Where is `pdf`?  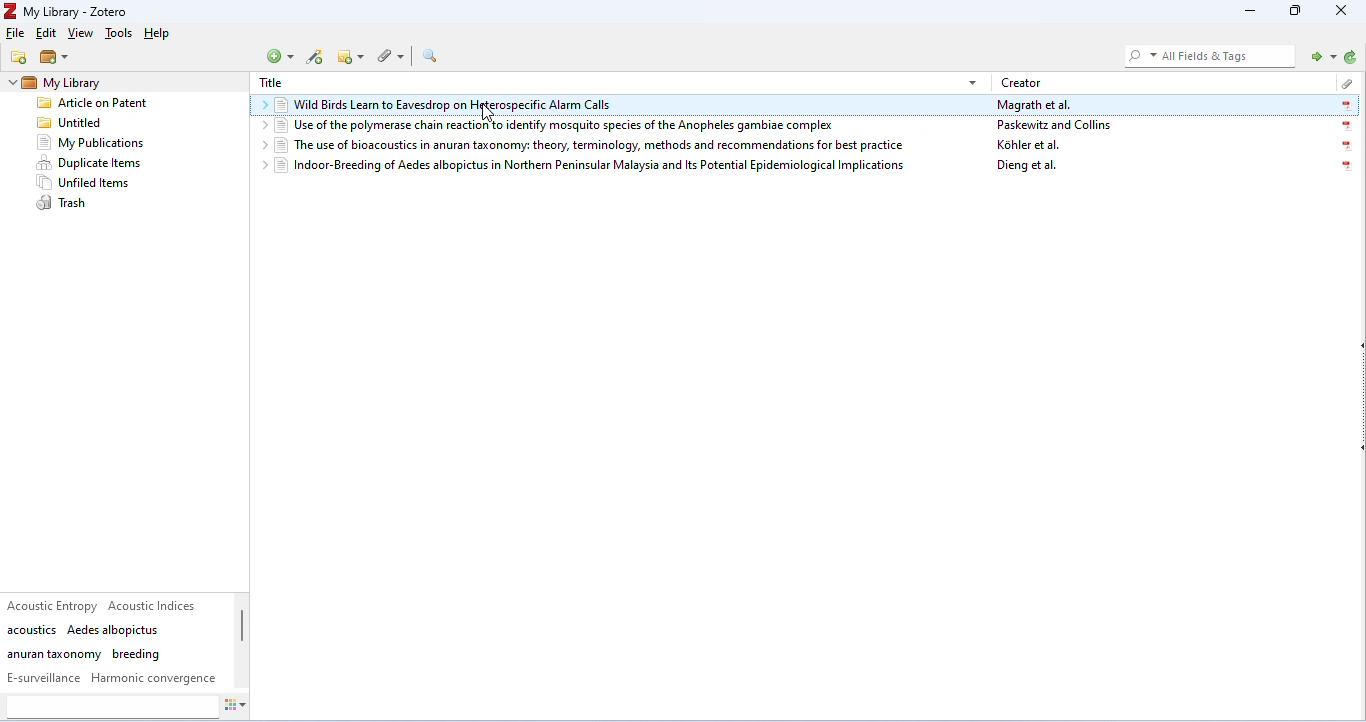 pdf is located at coordinates (1345, 126).